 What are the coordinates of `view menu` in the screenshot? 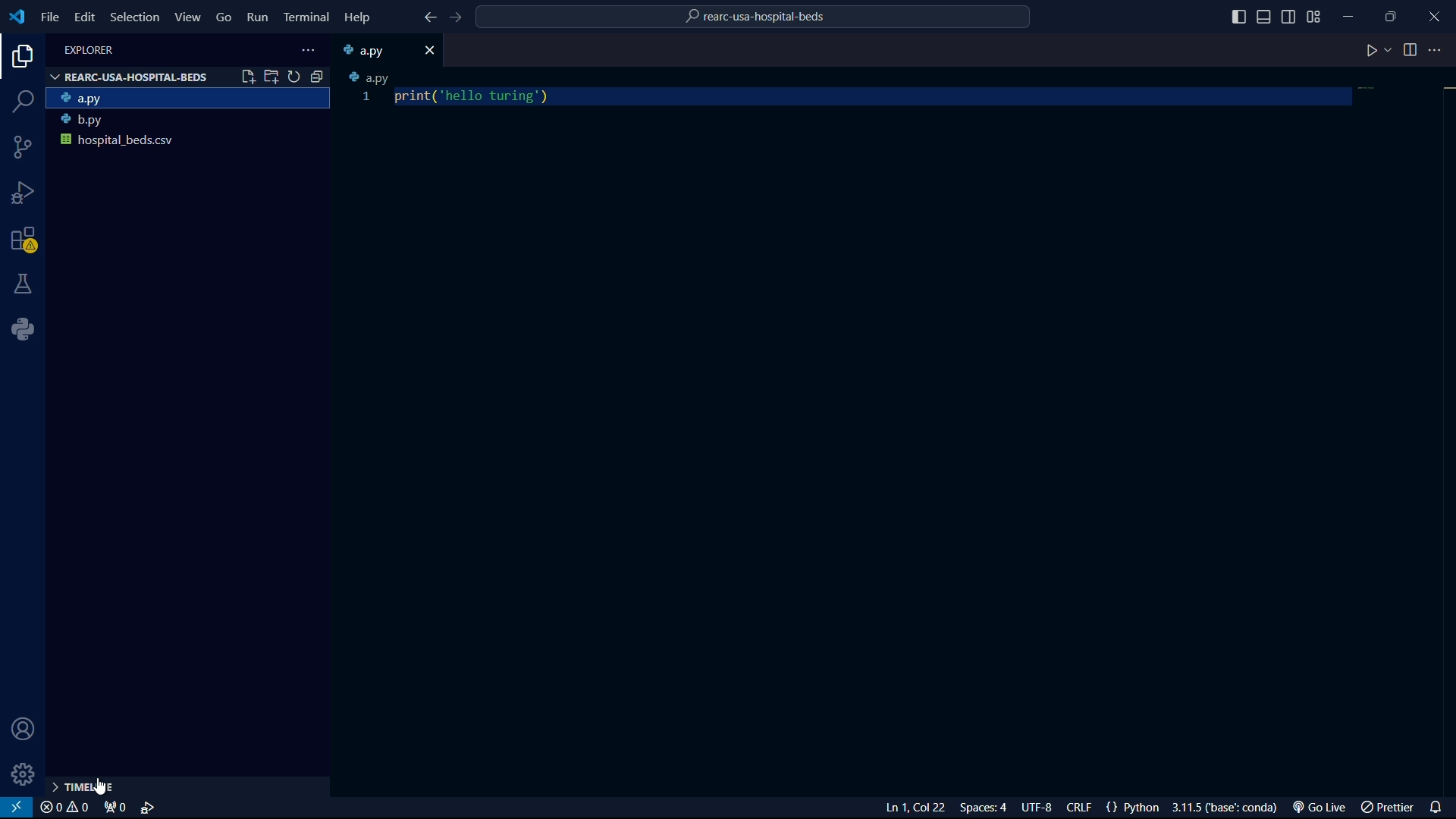 It's located at (187, 17).